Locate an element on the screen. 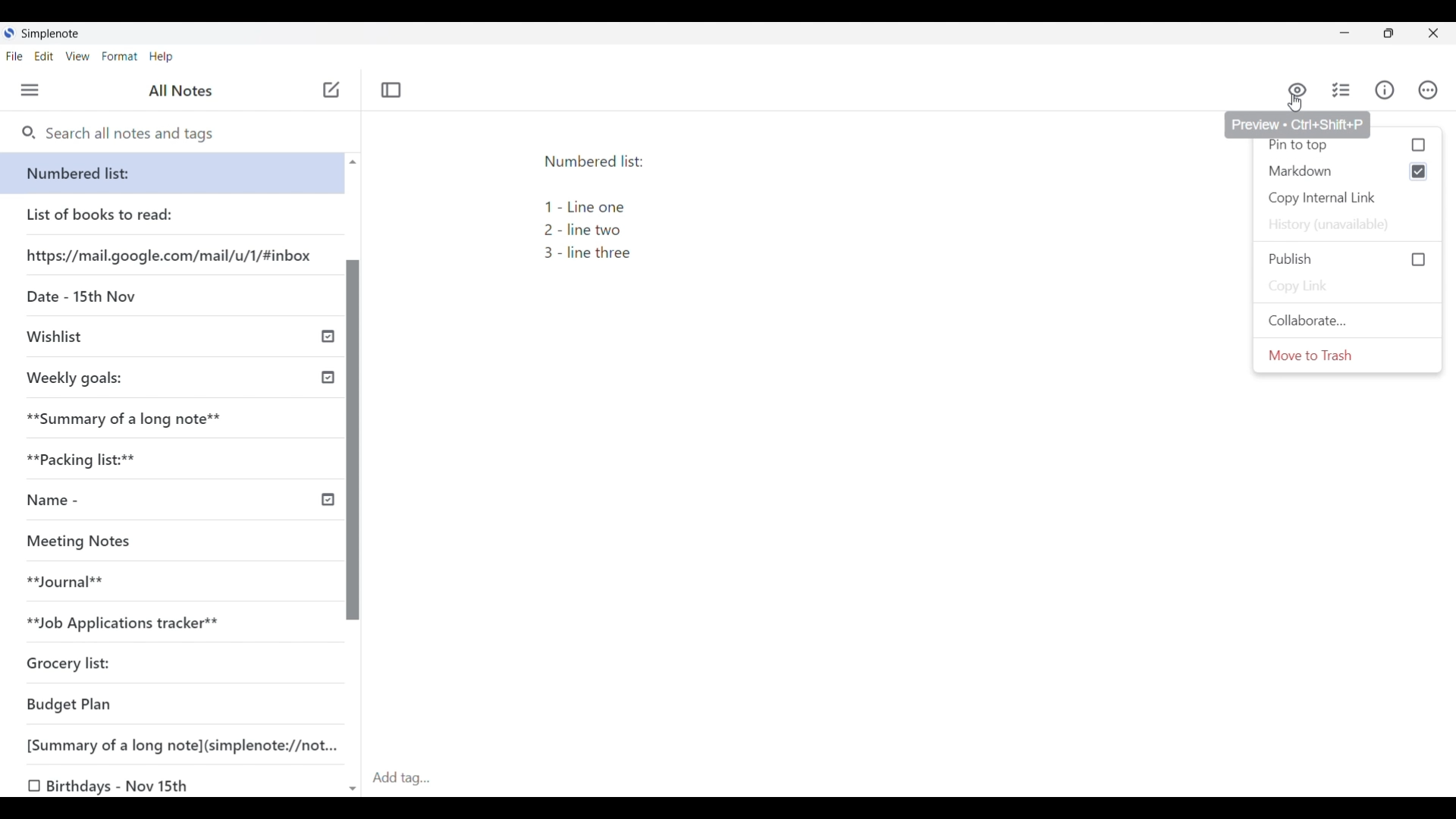 Image resolution: width=1456 pixels, height=819 pixels. Publish is located at coordinates (1309, 259).